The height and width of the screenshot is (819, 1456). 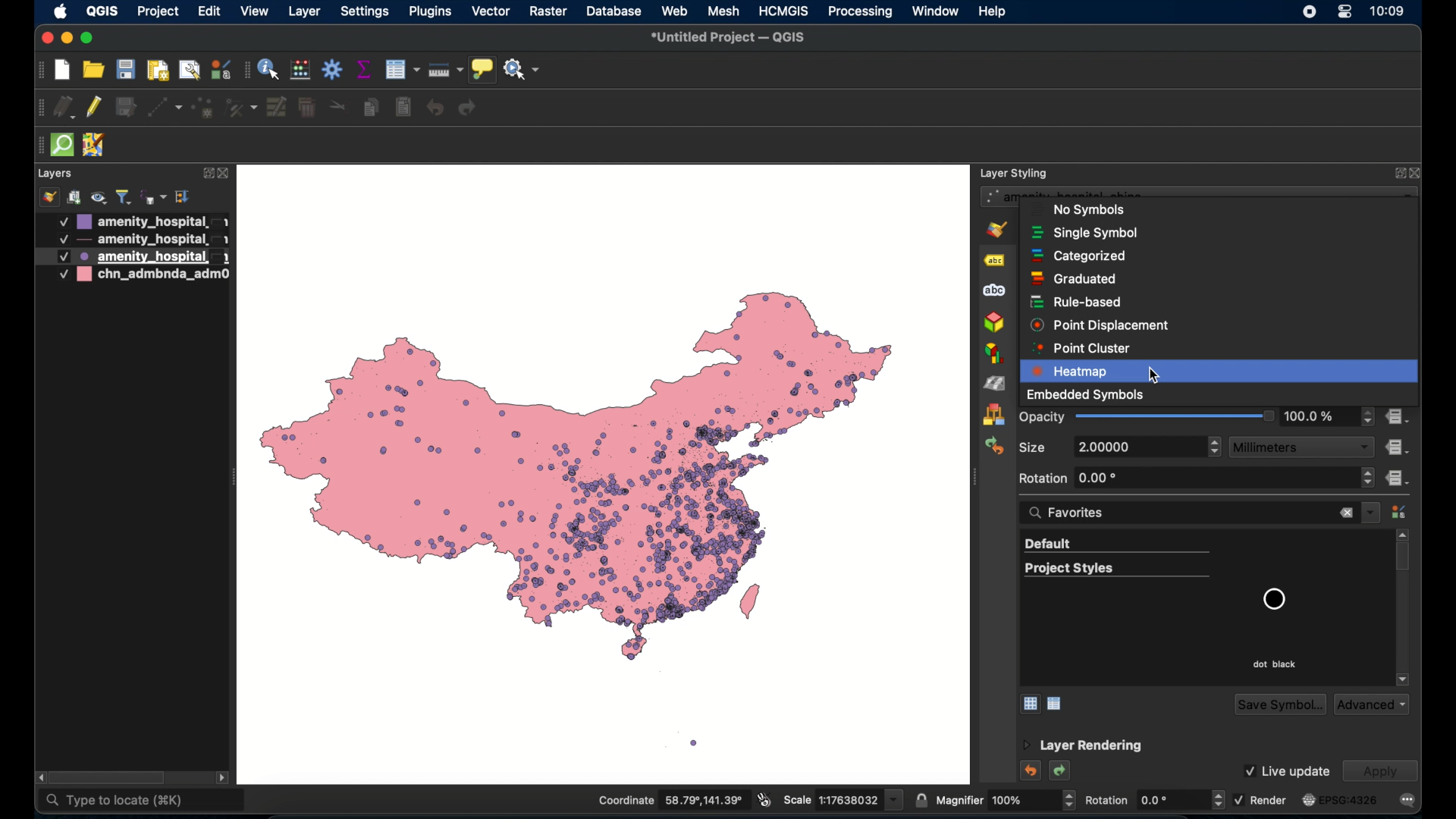 I want to click on jsom remote, so click(x=96, y=146).